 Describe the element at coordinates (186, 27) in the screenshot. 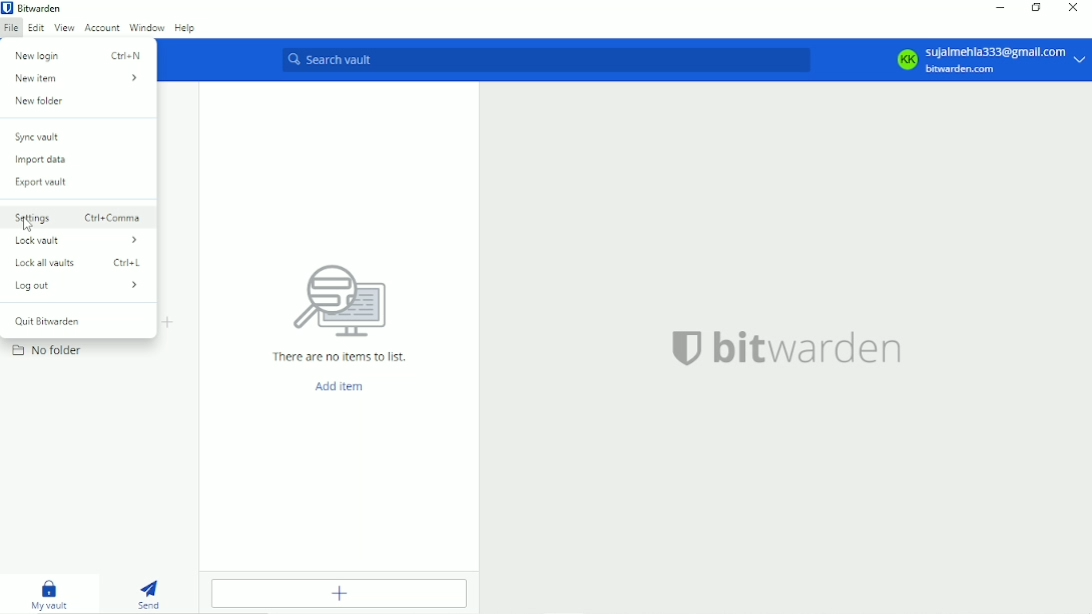

I see `Help` at that location.